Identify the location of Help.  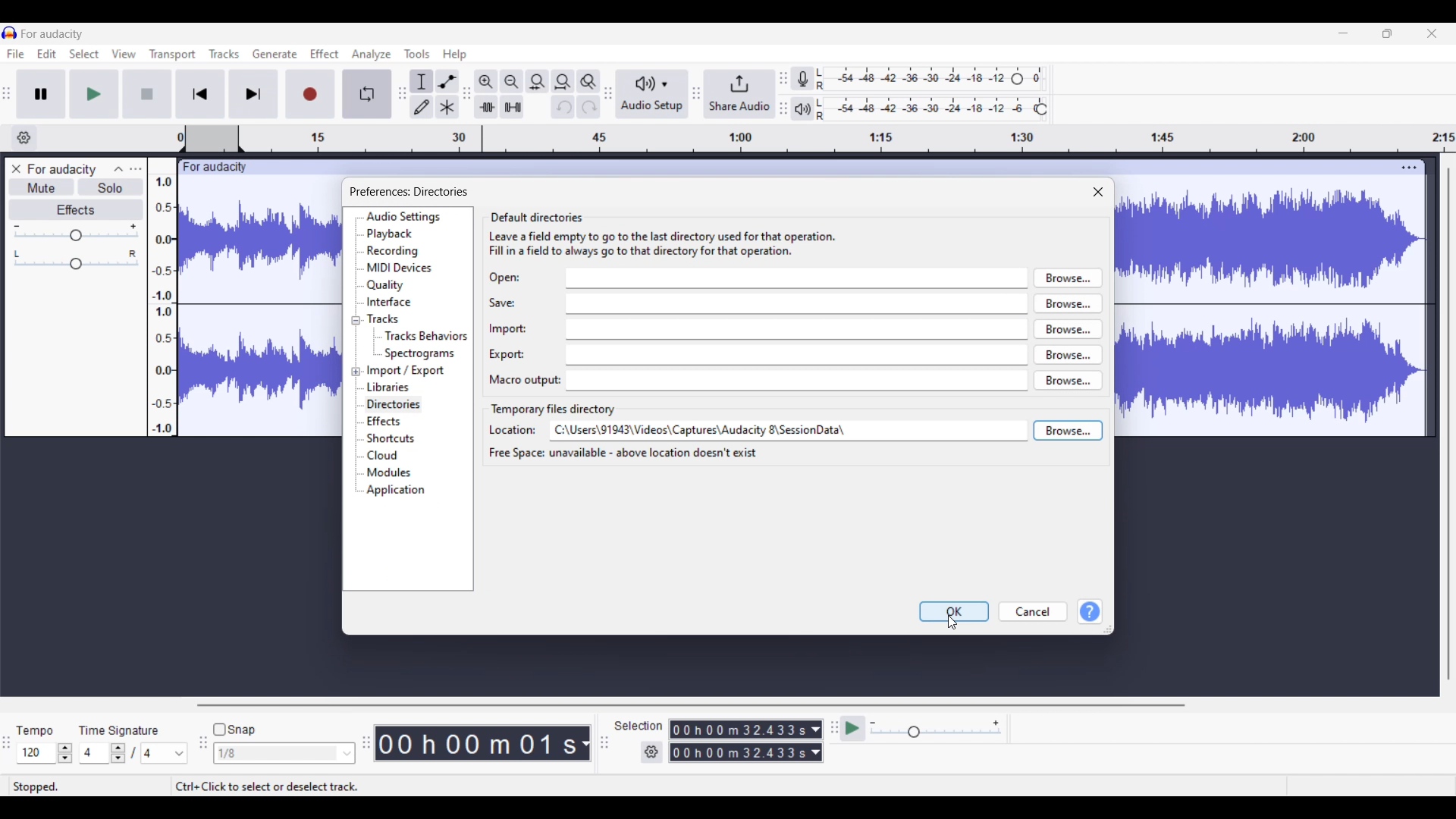
(1090, 611).